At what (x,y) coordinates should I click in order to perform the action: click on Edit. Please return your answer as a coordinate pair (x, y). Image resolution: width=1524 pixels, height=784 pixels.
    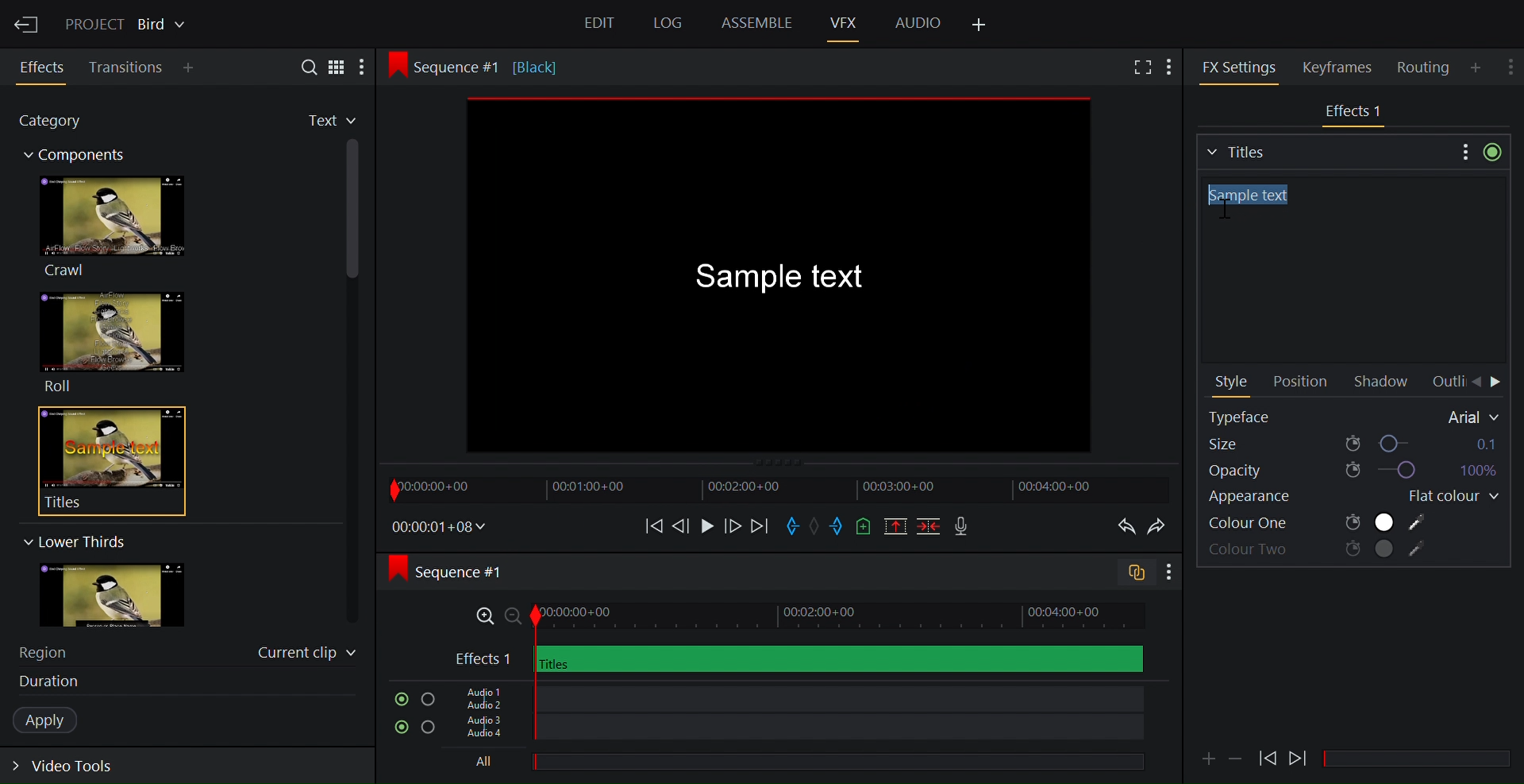
    Looking at the image, I should click on (602, 25).